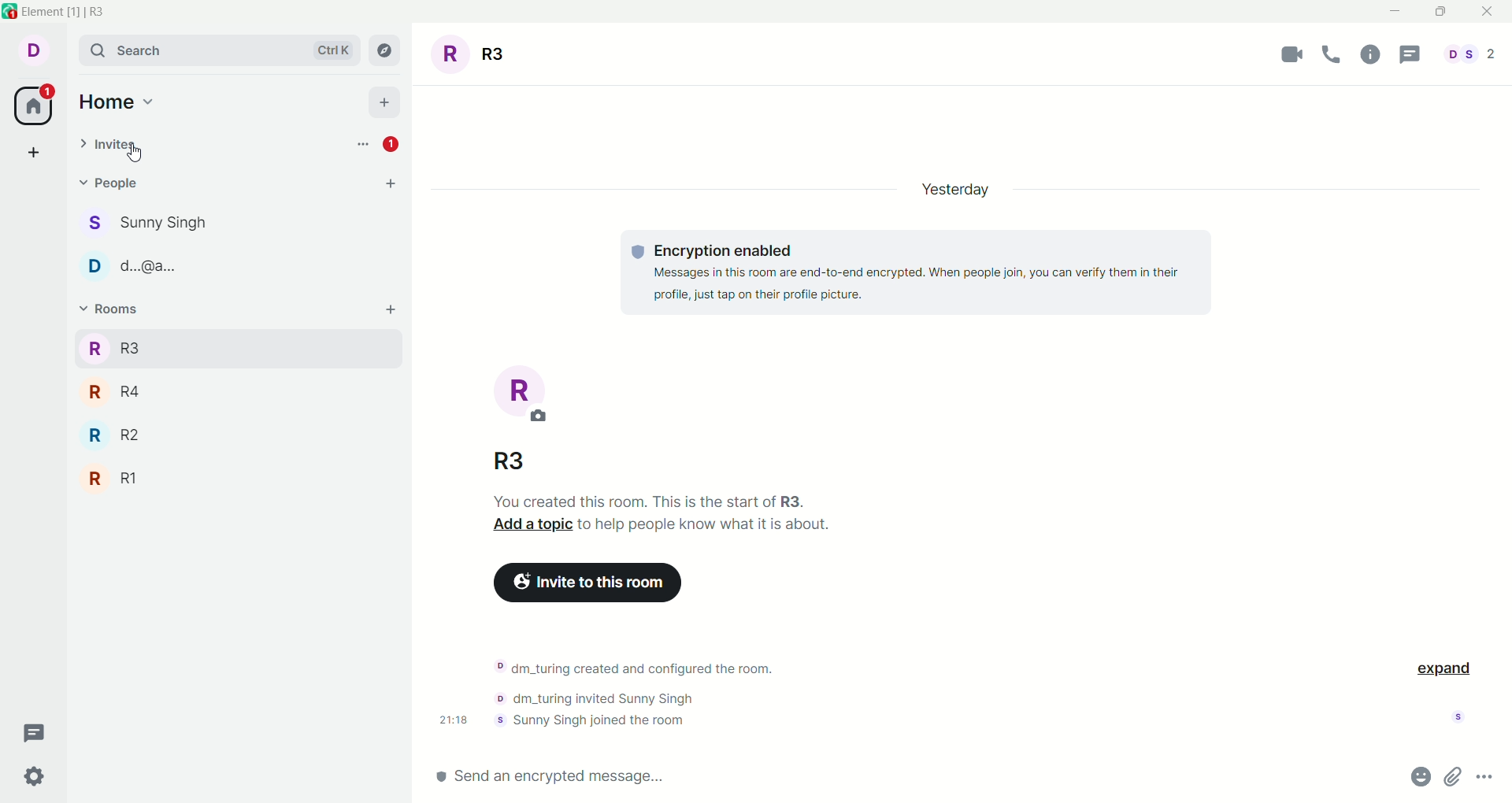  Describe the element at coordinates (1411, 54) in the screenshot. I see `thread` at that location.